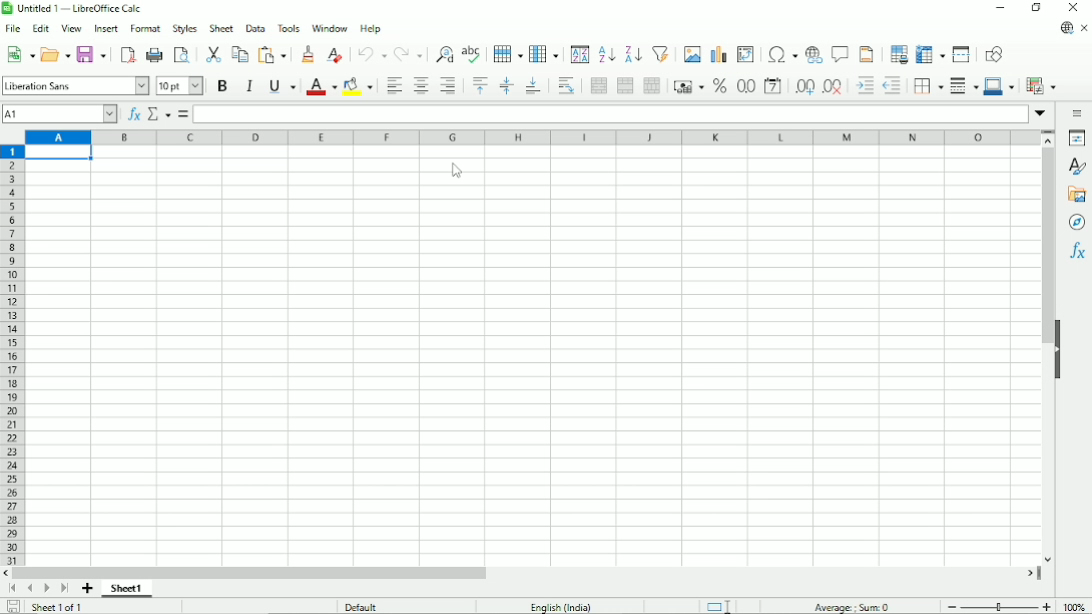 Image resolution: width=1092 pixels, height=614 pixels. What do you see at coordinates (358, 86) in the screenshot?
I see `Background color` at bounding box center [358, 86].